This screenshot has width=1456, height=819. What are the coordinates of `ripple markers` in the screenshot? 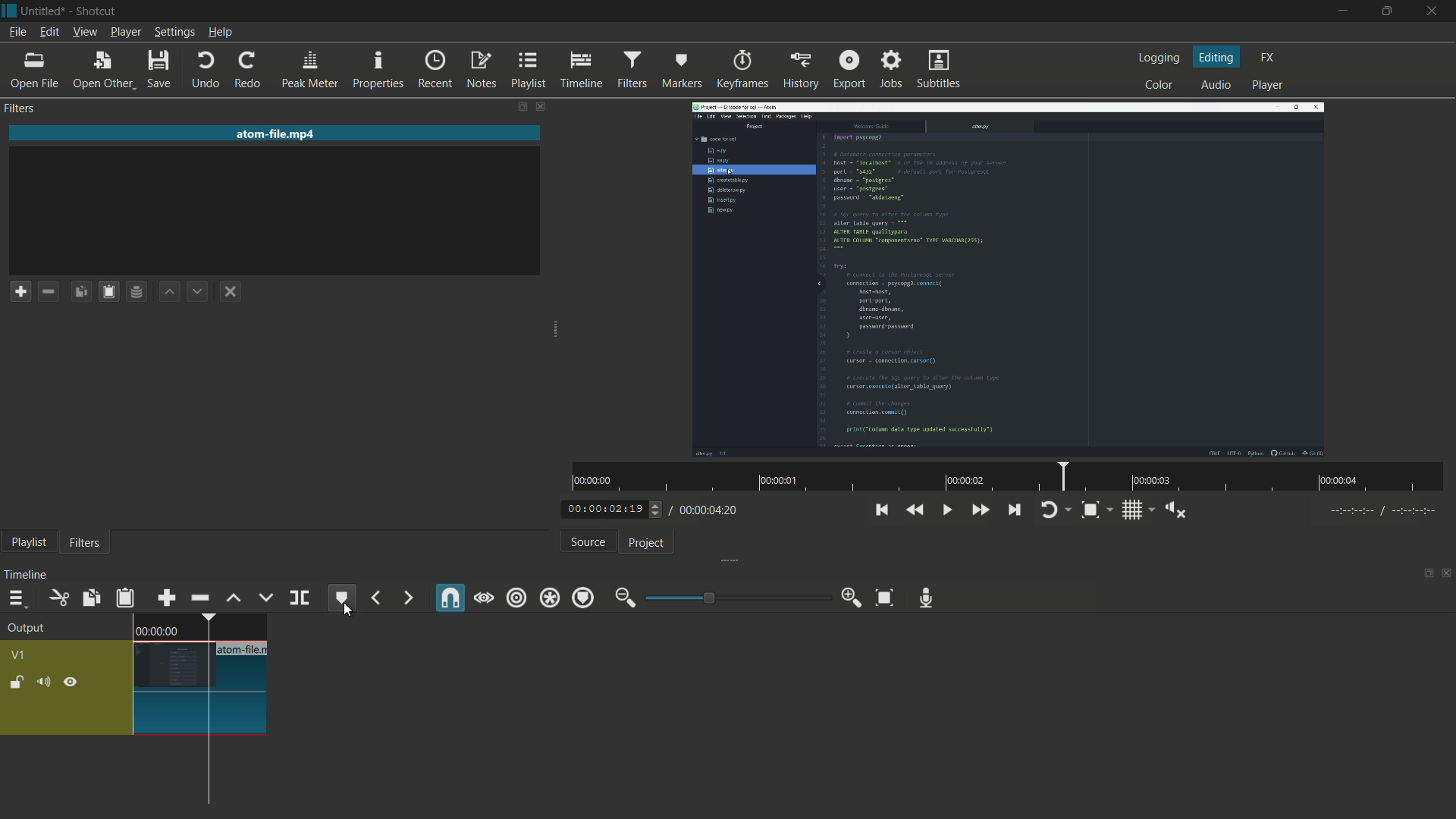 It's located at (584, 599).